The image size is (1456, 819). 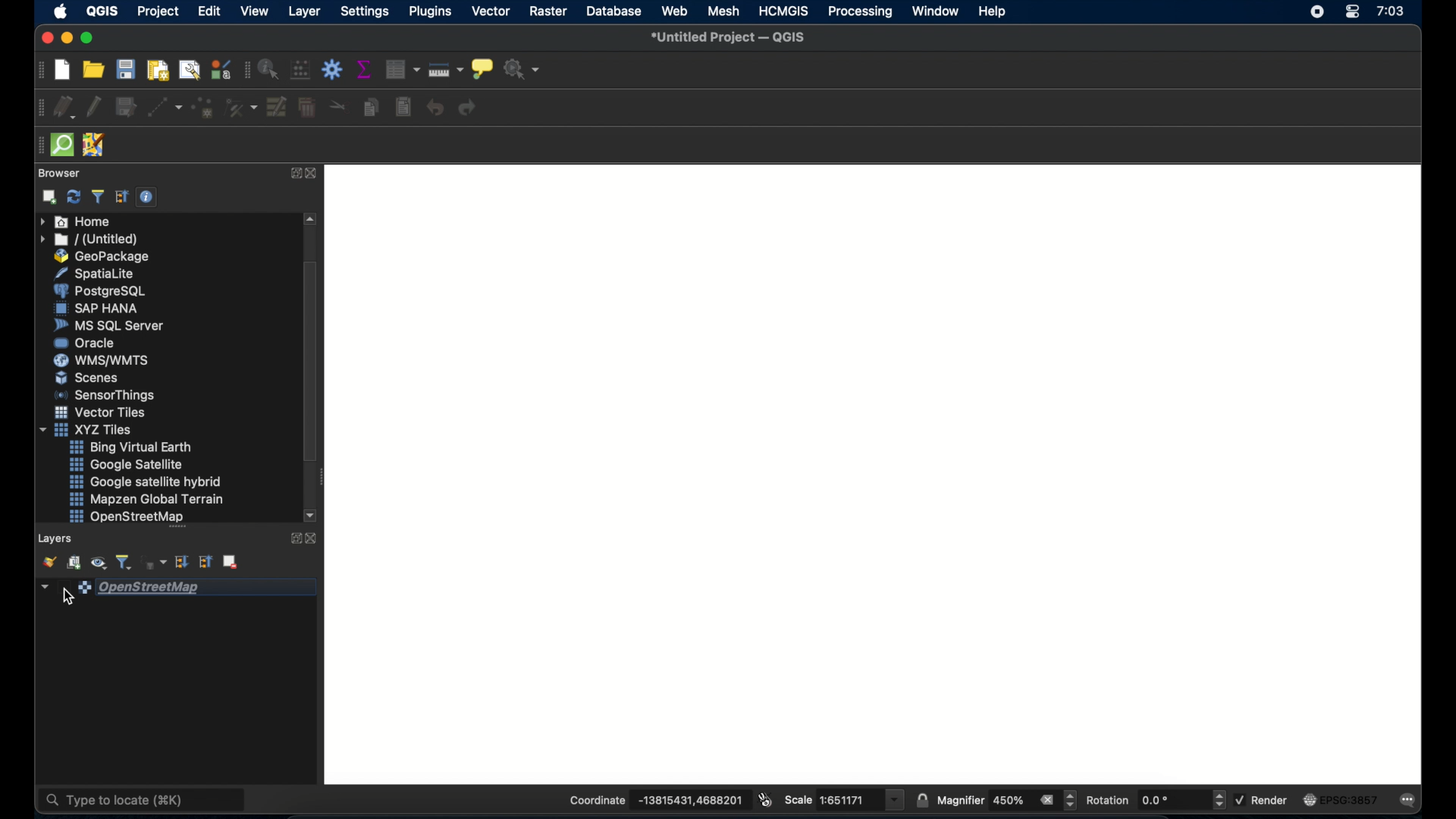 I want to click on measure line, so click(x=446, y=69).